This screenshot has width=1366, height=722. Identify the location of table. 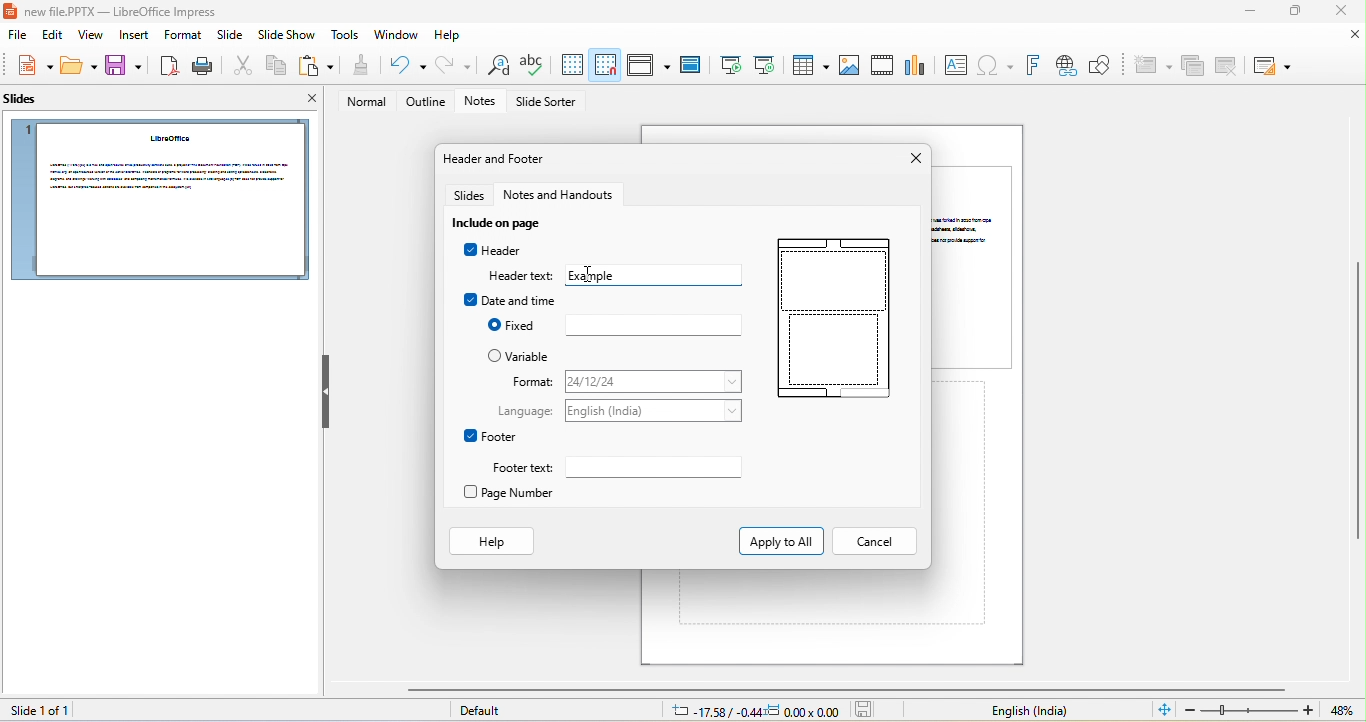
(808, 64).